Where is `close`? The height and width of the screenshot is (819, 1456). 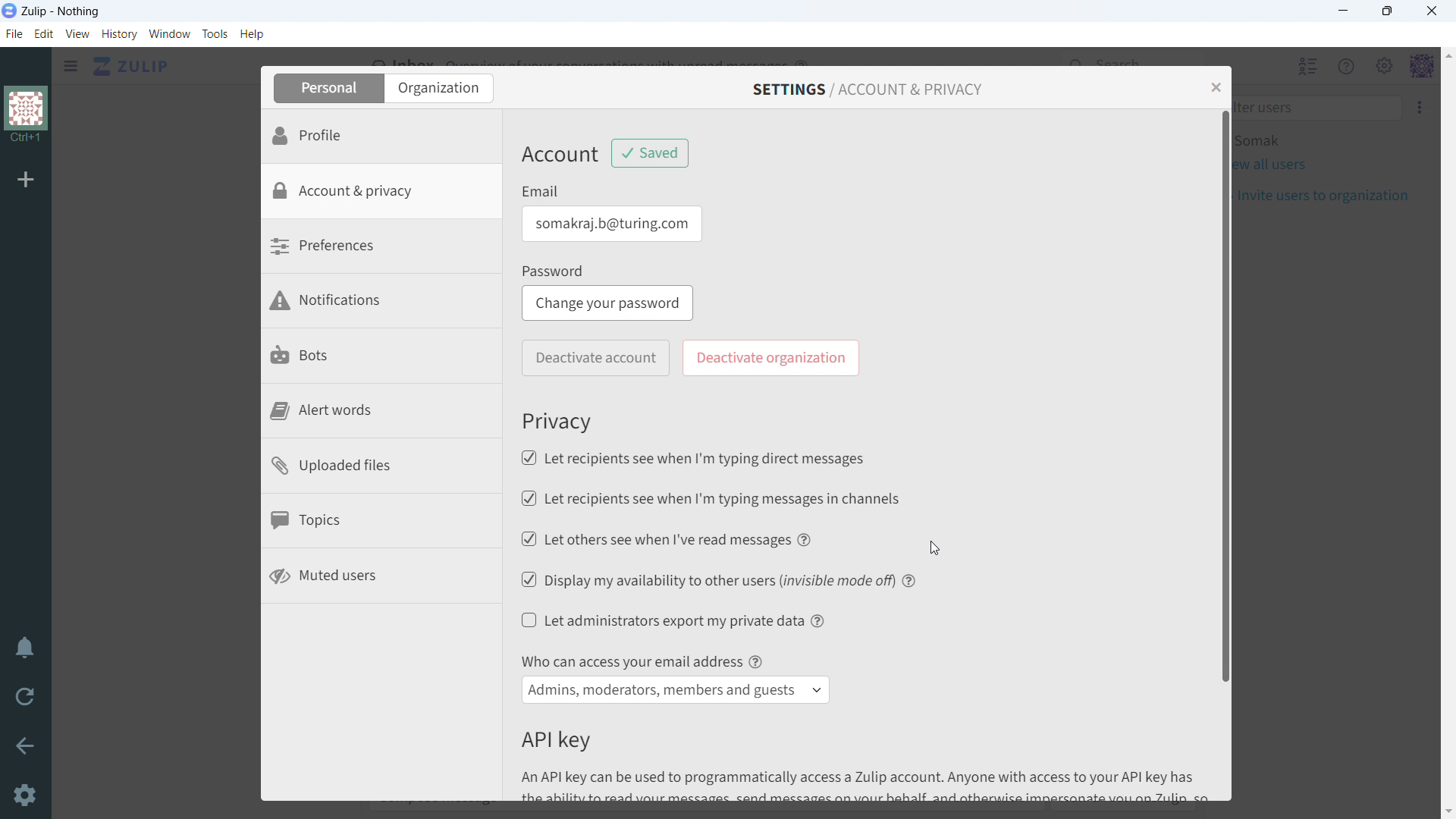 close is located at coordinates (1432, 11).